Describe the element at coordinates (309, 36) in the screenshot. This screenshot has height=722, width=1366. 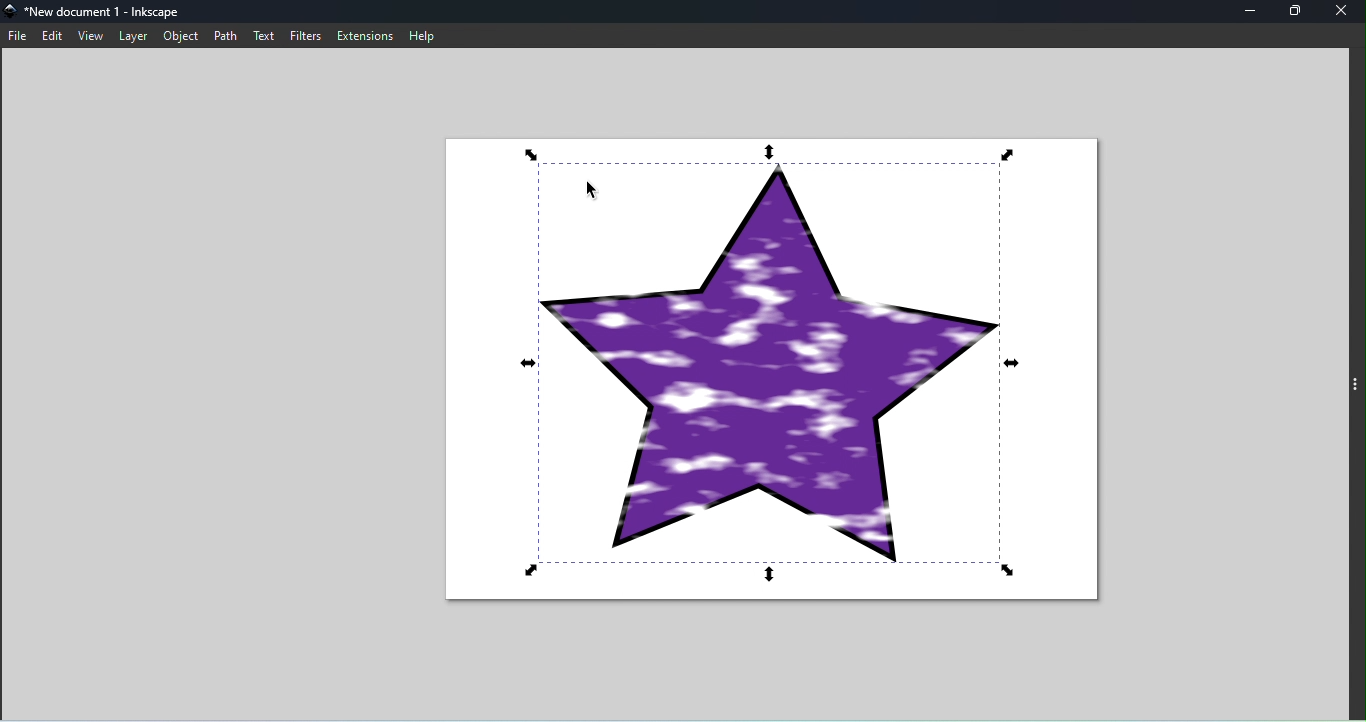
I see `filters` at that location.